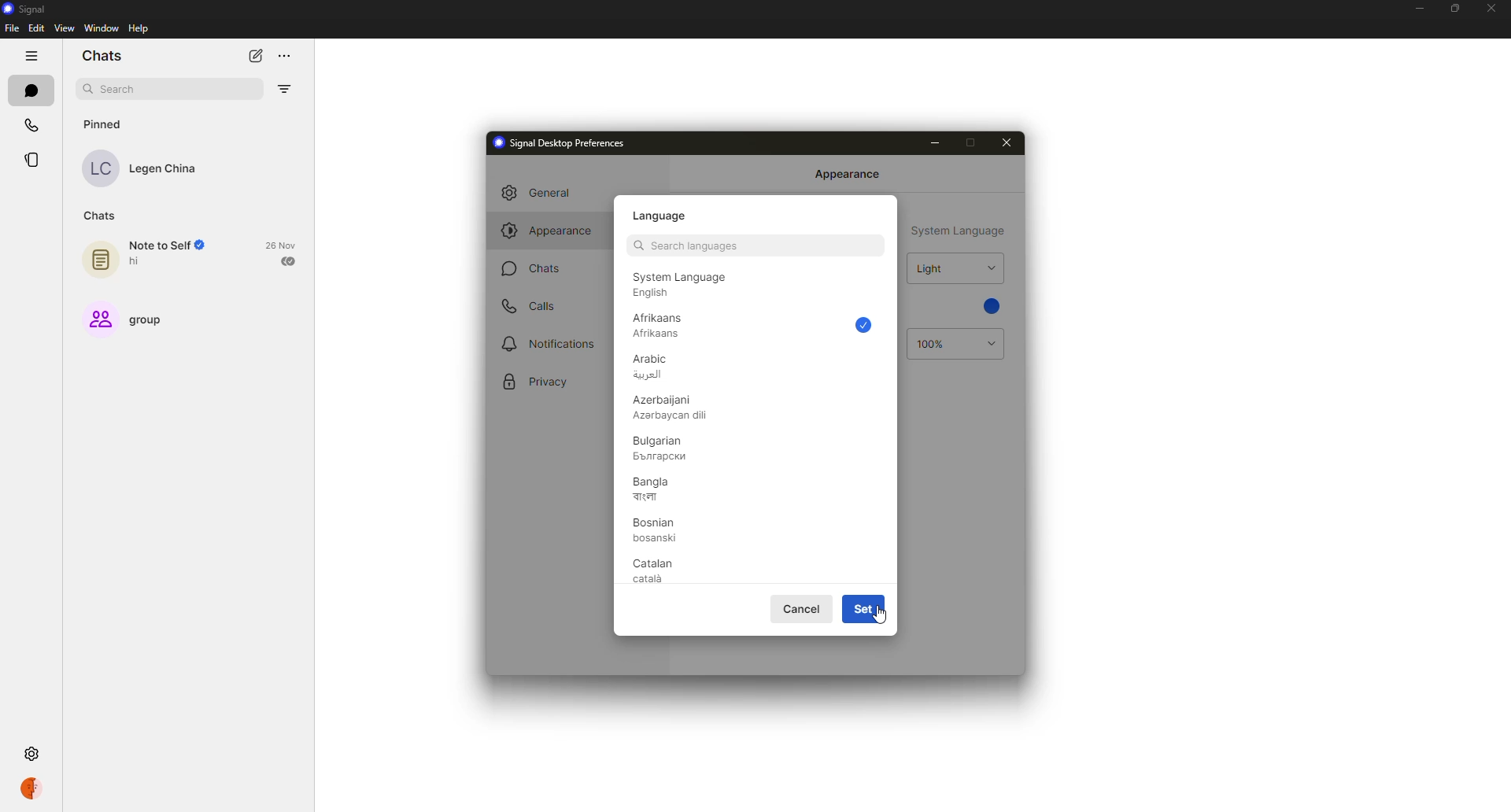  Describe the element at coordinates (536, 305) in the screenshot. I see `calls` at that location.